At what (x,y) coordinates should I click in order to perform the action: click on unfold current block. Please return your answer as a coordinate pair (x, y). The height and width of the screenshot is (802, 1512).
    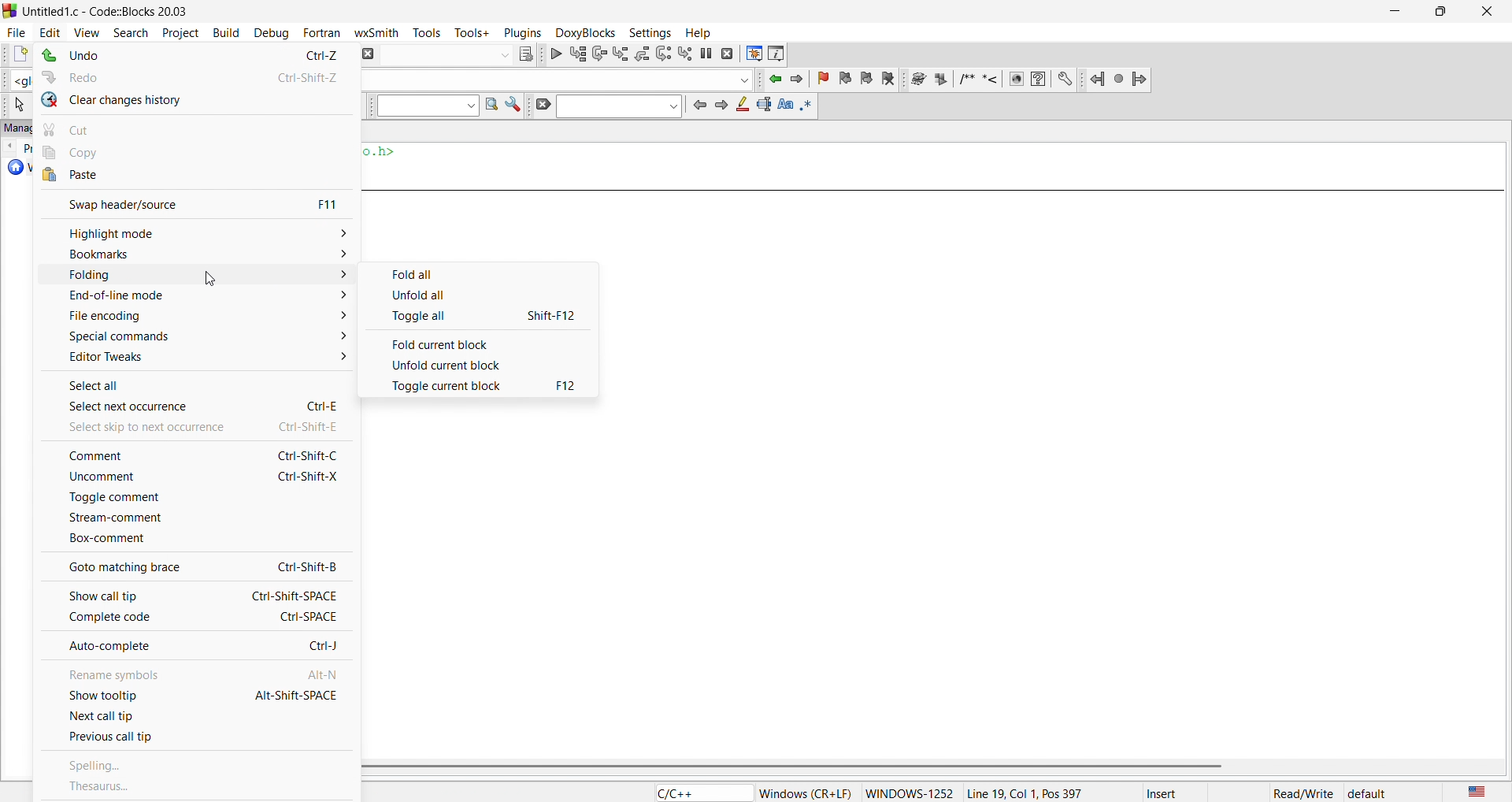
    Looking at the image, I should click on (480, 364).